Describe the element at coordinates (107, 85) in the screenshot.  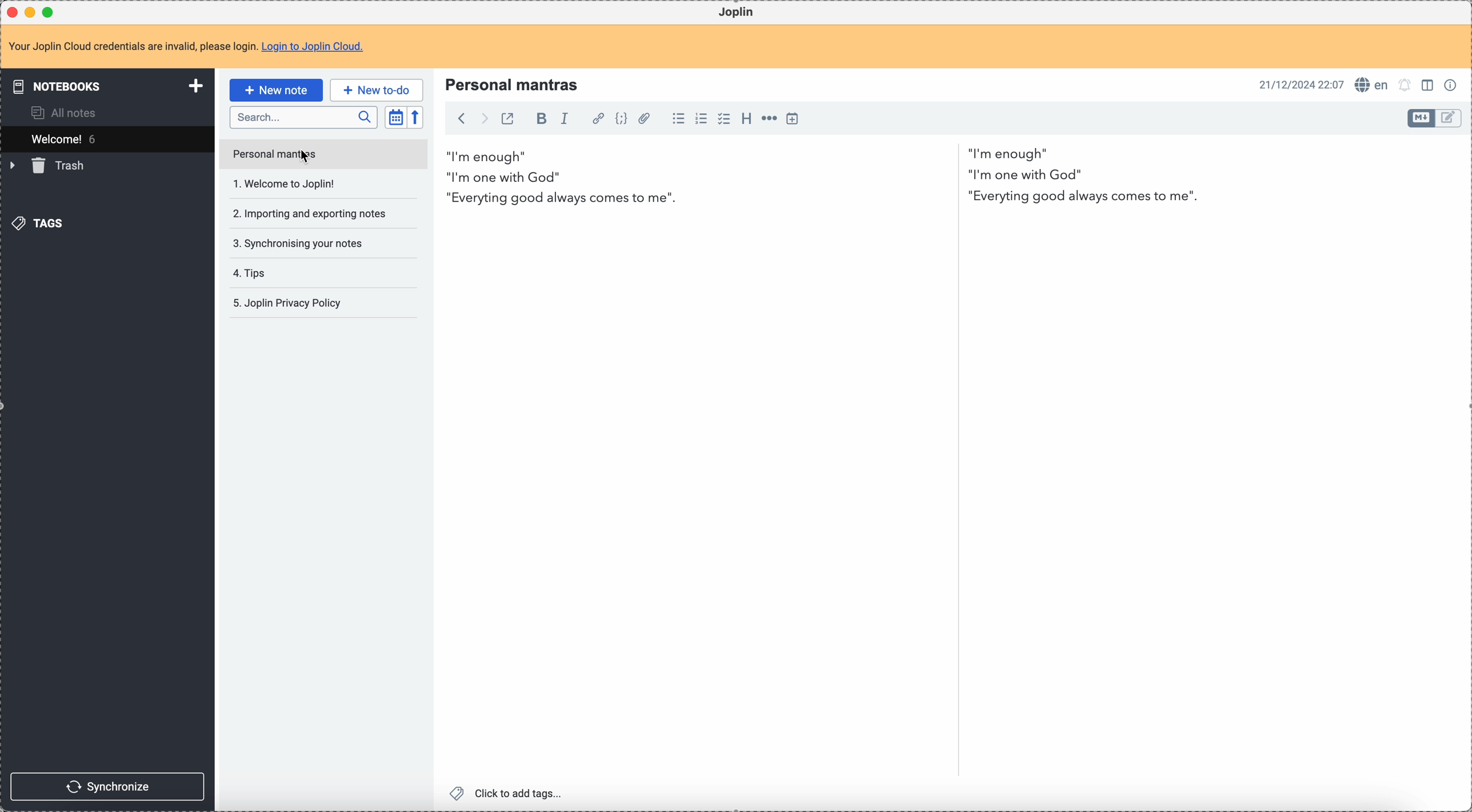
I see `notebooks` at that location.